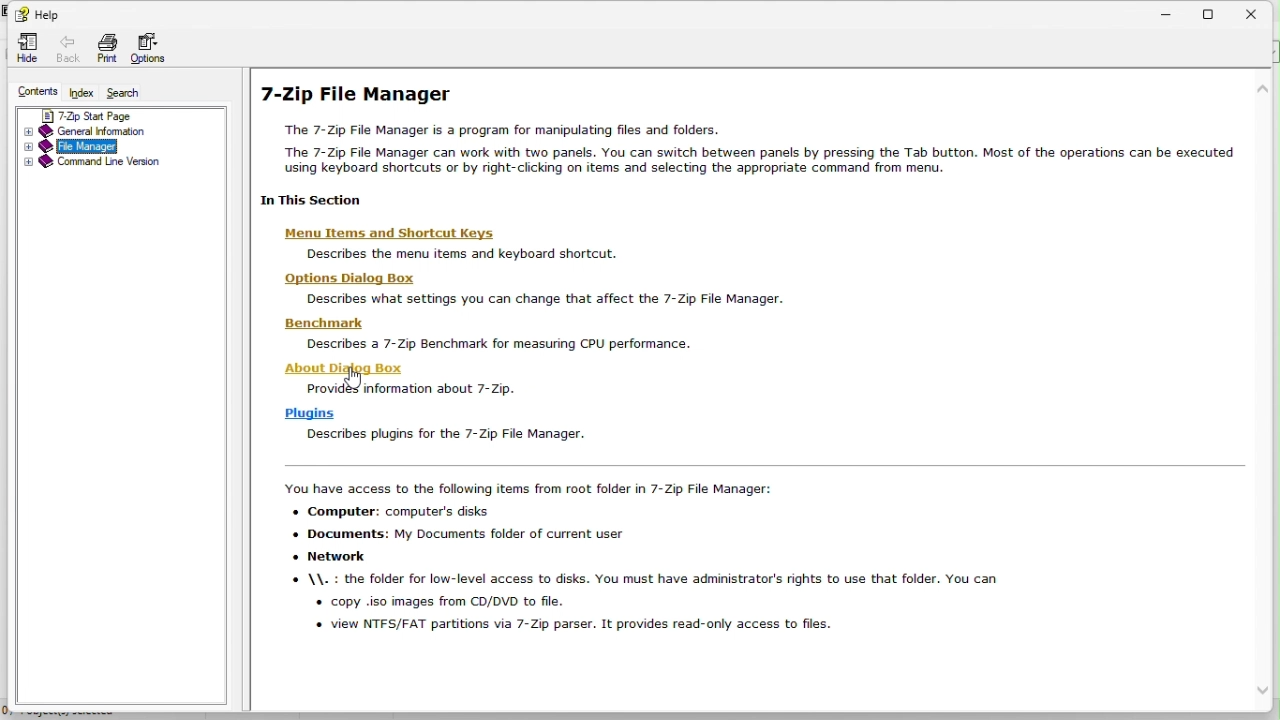 The width and height of the screenshot is (1280, 720). I want to click on scroll up, so click(1264, 88).